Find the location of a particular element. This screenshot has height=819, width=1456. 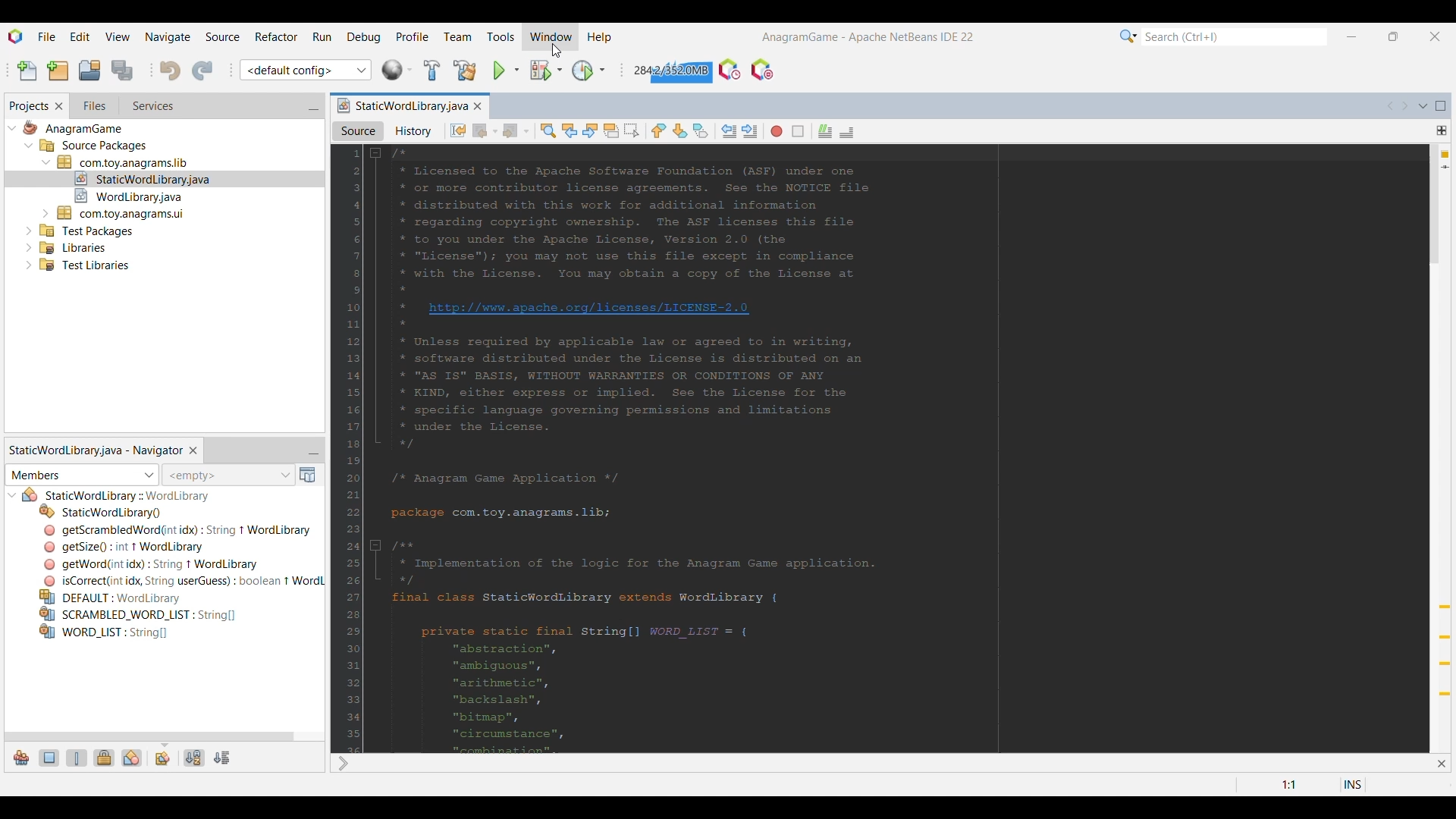

Last edit is located at coordinates (458, 130).